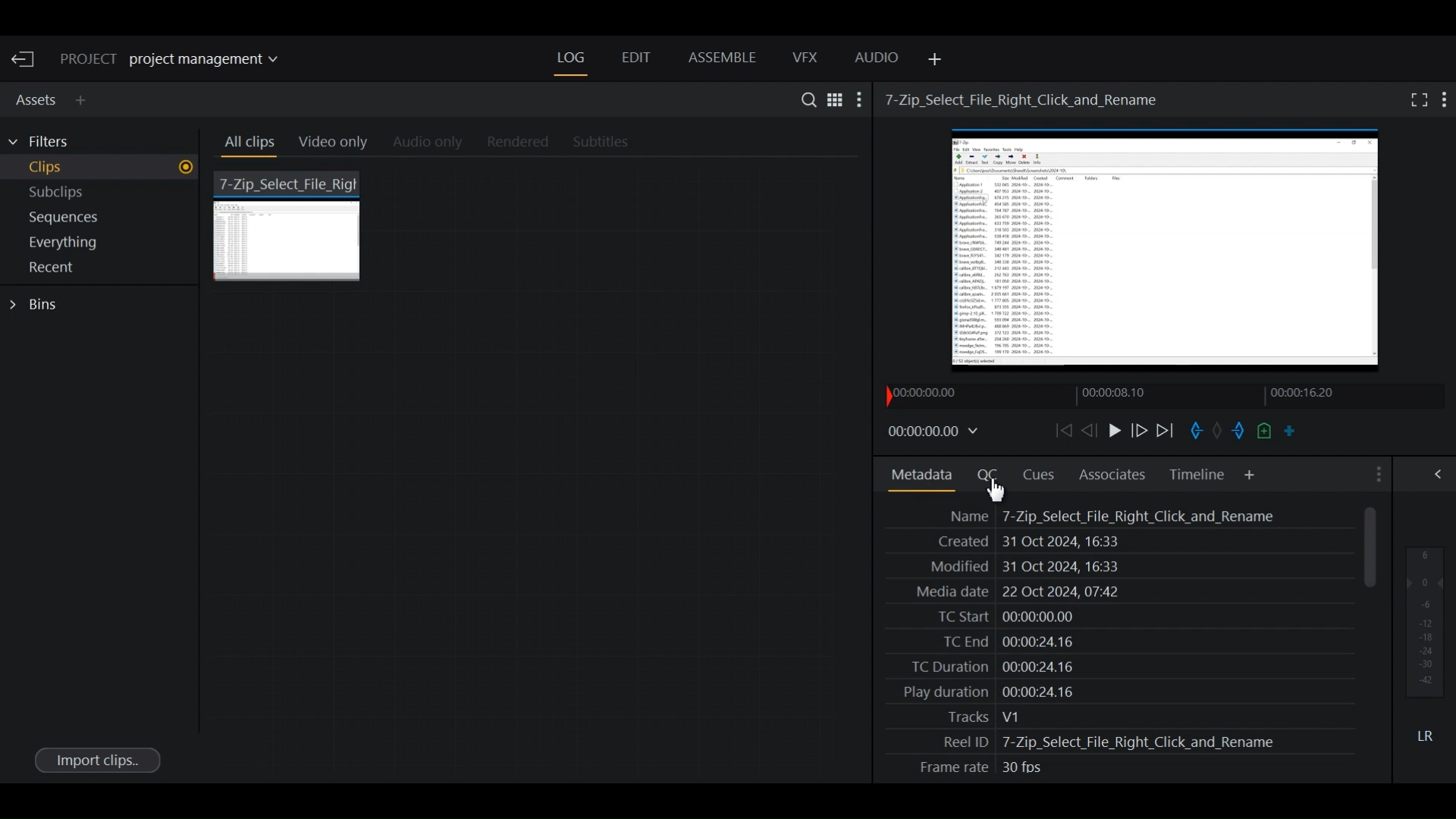 The height and width of the screenshot is (819, 1456). What do you see at coordinates (247, 145) in the screenshot?
I see `All clips` at bounding box center [247, 145].